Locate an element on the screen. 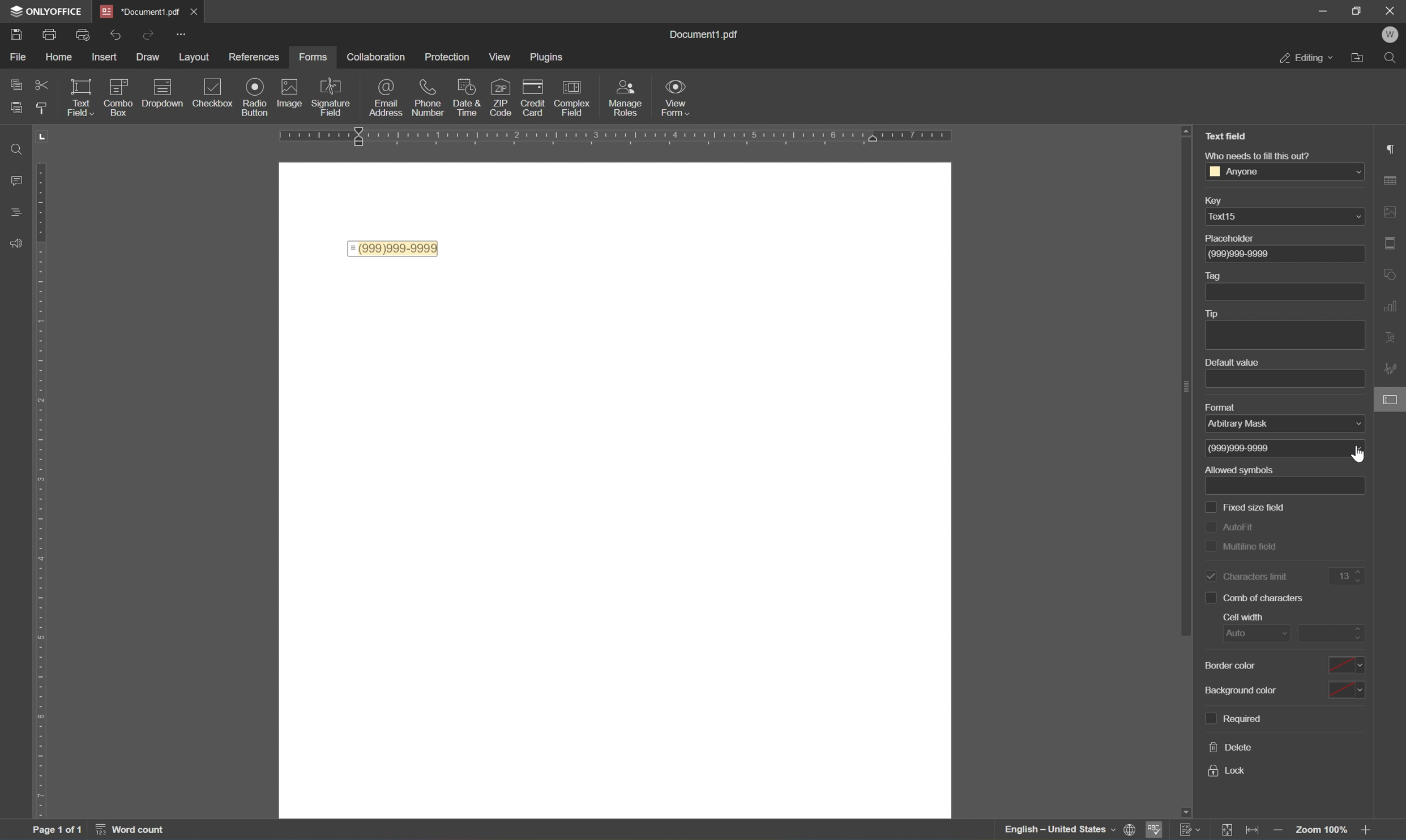 The image size is (1406, 840). insert phone number is located at coordinates (498, 114).